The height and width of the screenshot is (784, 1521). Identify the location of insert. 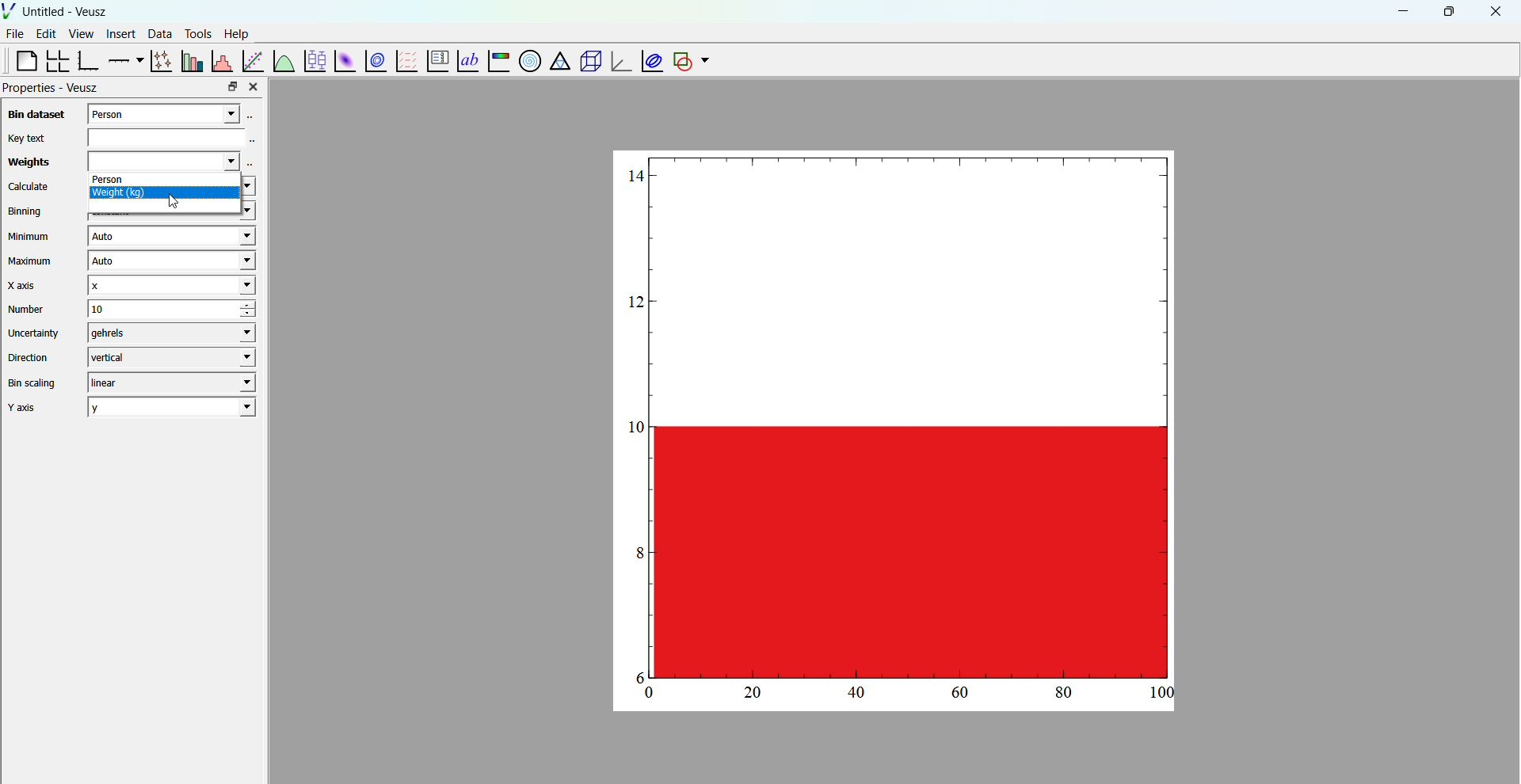
(118, 32).